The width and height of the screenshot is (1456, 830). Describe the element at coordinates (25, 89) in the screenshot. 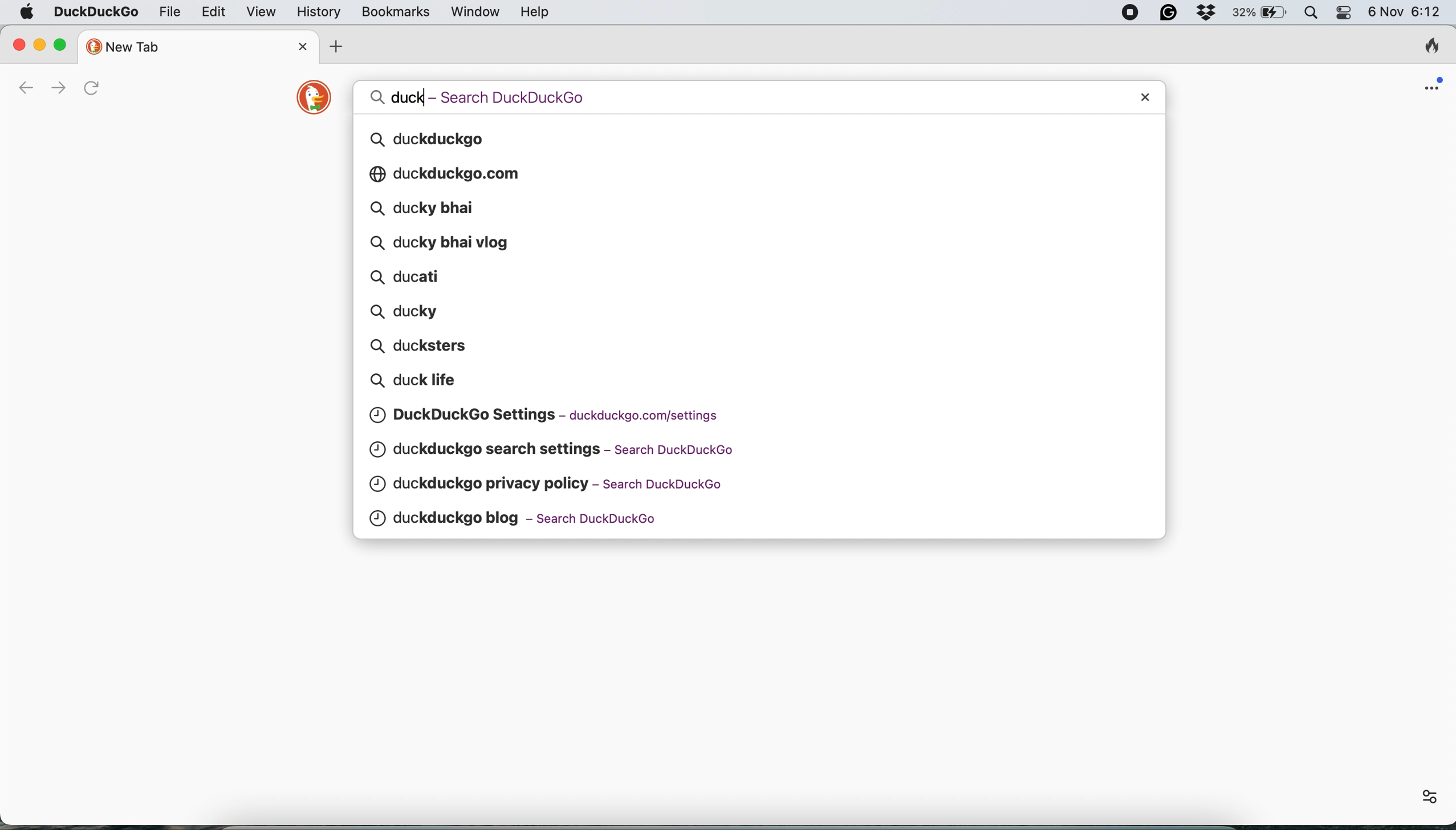

I see `go back` at that location.